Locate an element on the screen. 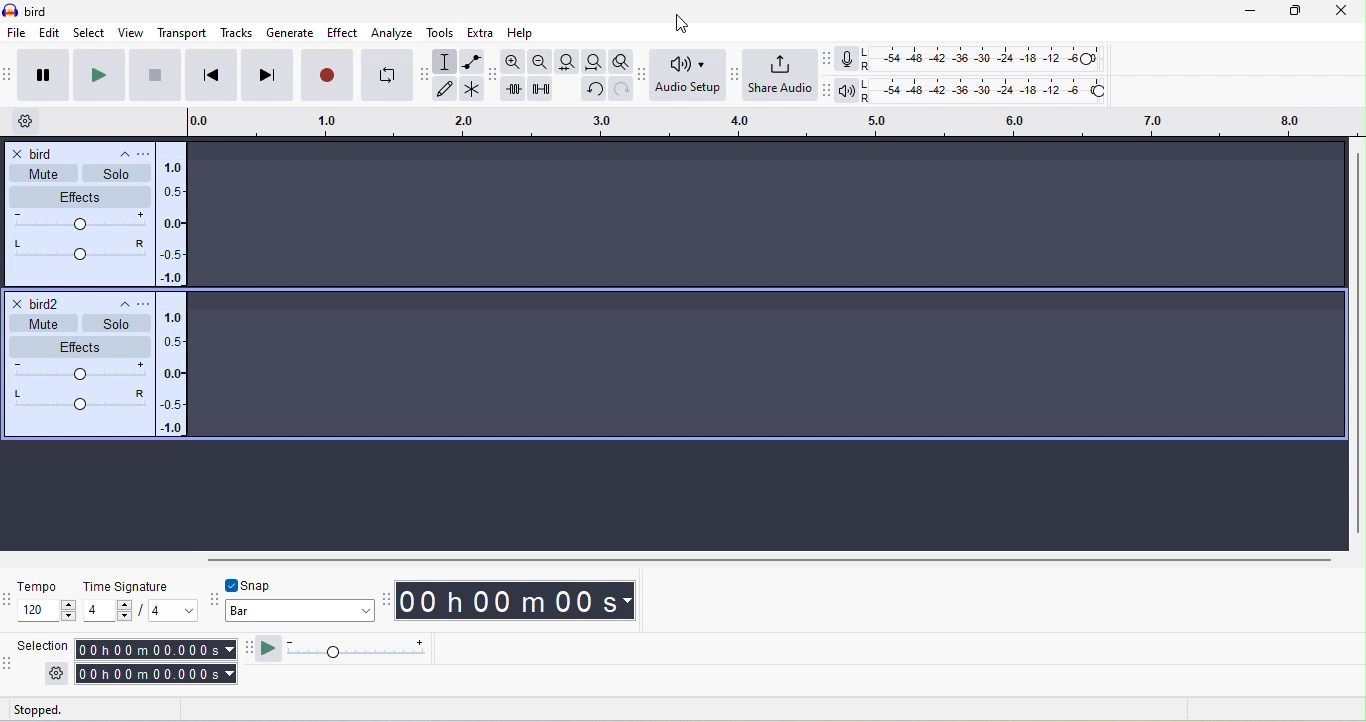  skip to start is located at coordinates (213, 74).